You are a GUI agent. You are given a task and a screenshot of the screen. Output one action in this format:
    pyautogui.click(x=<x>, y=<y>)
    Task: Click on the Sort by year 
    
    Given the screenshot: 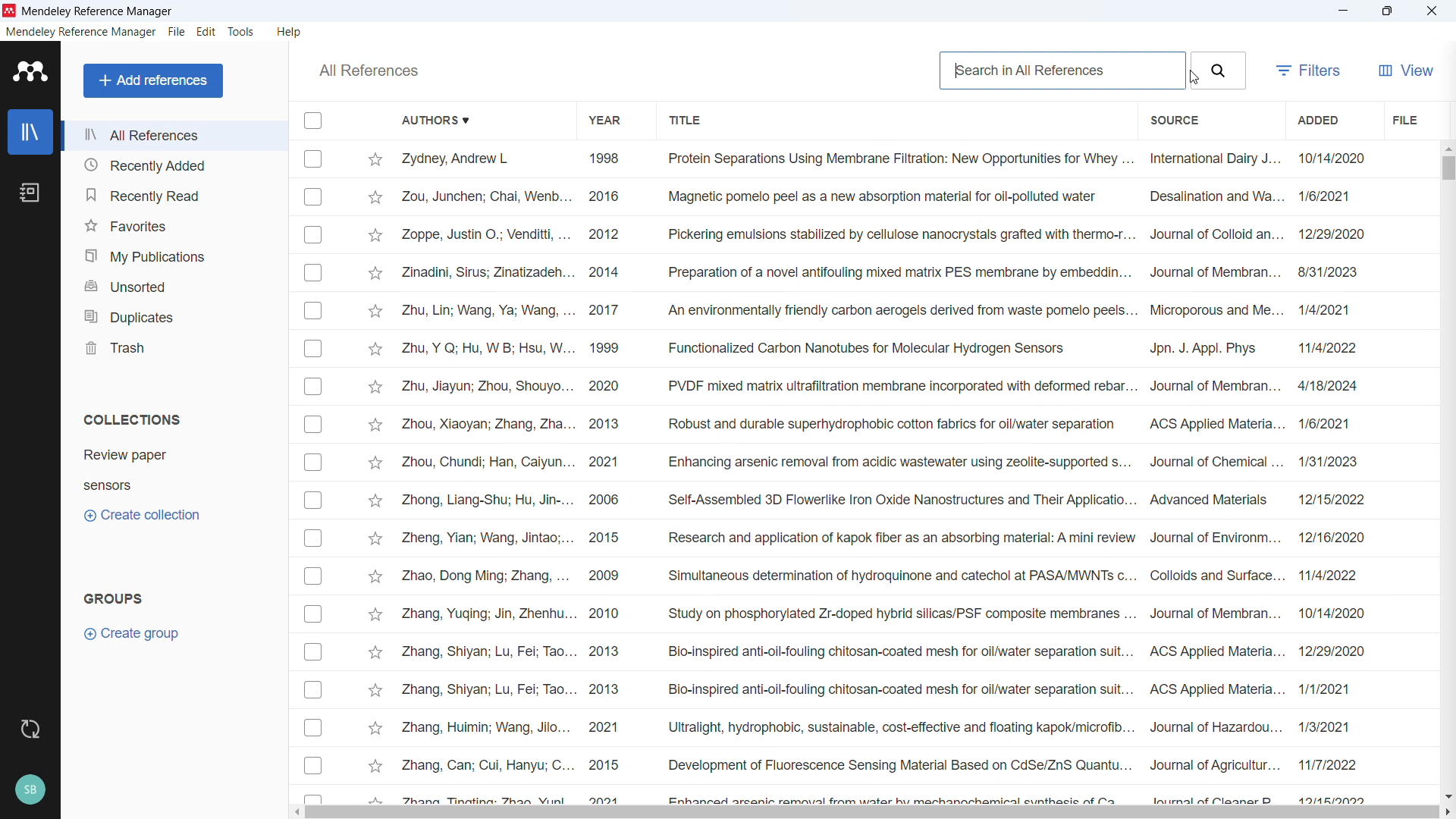 What is the action you would take?
    pyautogui.click(x=604, y=121)
    